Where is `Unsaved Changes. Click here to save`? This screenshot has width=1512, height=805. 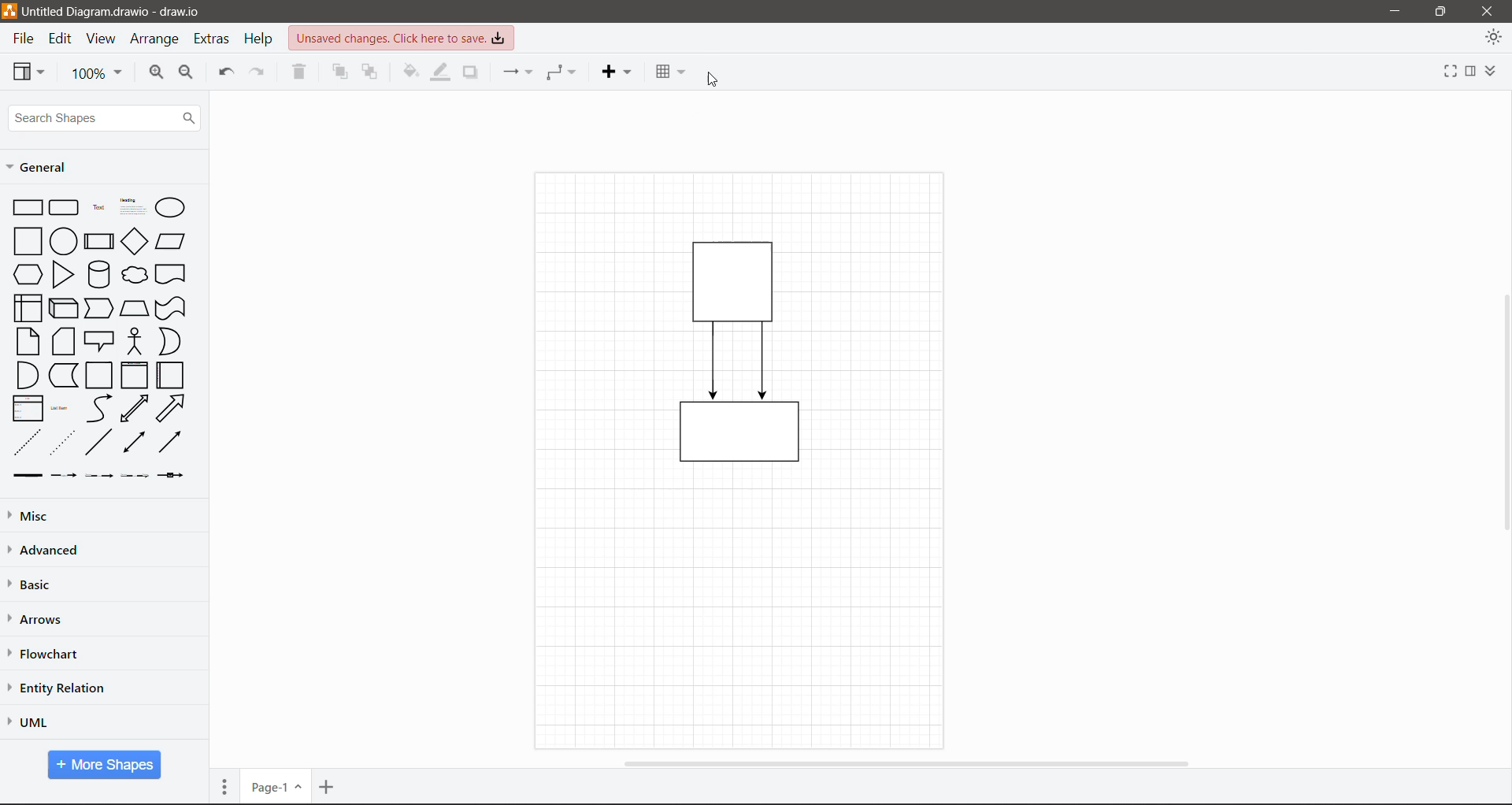
Unsaved Changes. Click here to save is located at coordinates (402, 38).